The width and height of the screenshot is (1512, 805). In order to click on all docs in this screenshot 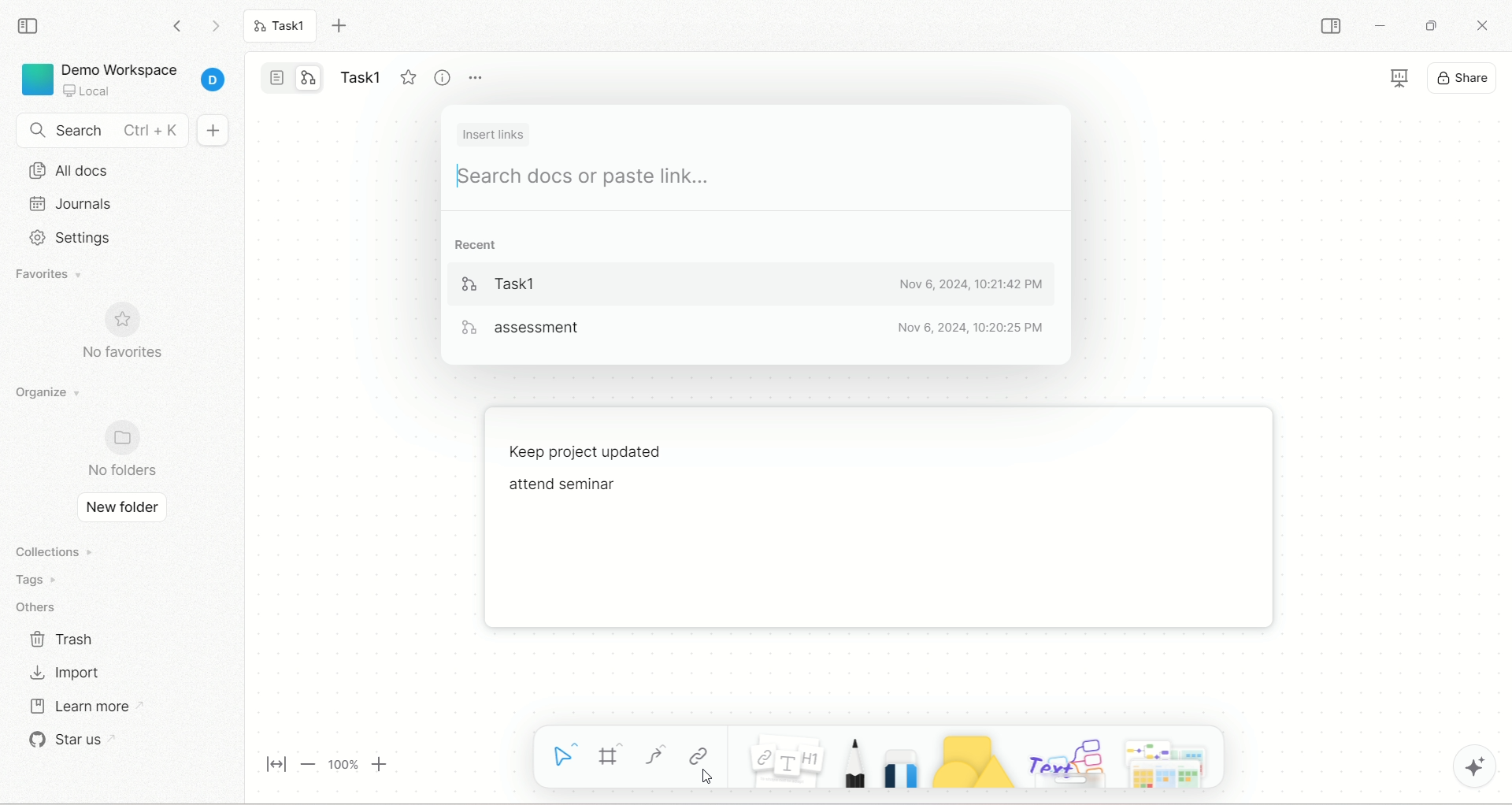, I will do `click(120, 172)`.